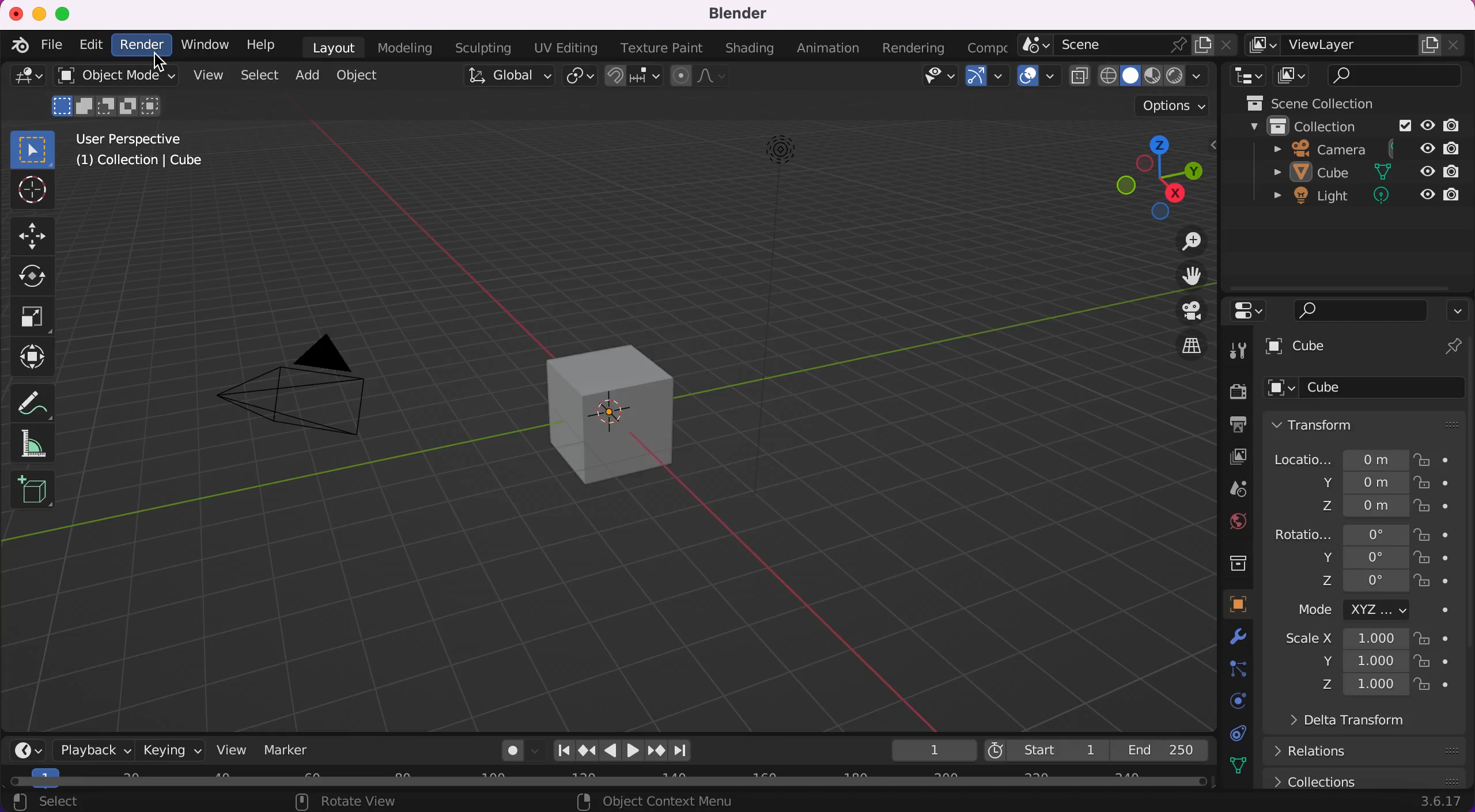 Image resolution: width=1475 pixels, height=812 pixels. What do you see at coordinates (1230, 488) in the screenshot?
I see `scene` at bounding box center [1230, 488].